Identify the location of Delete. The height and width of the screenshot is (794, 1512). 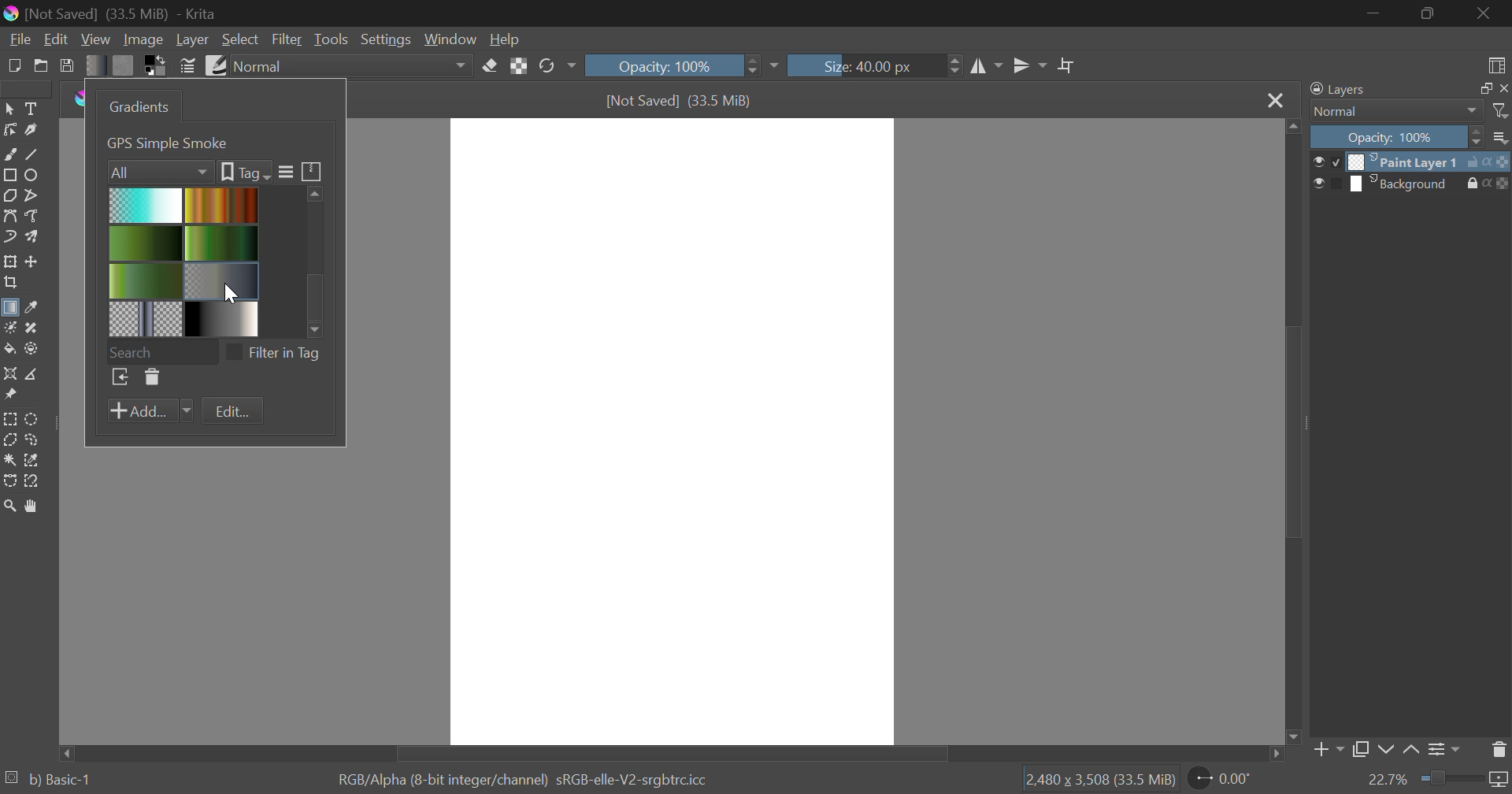
(150, 378).